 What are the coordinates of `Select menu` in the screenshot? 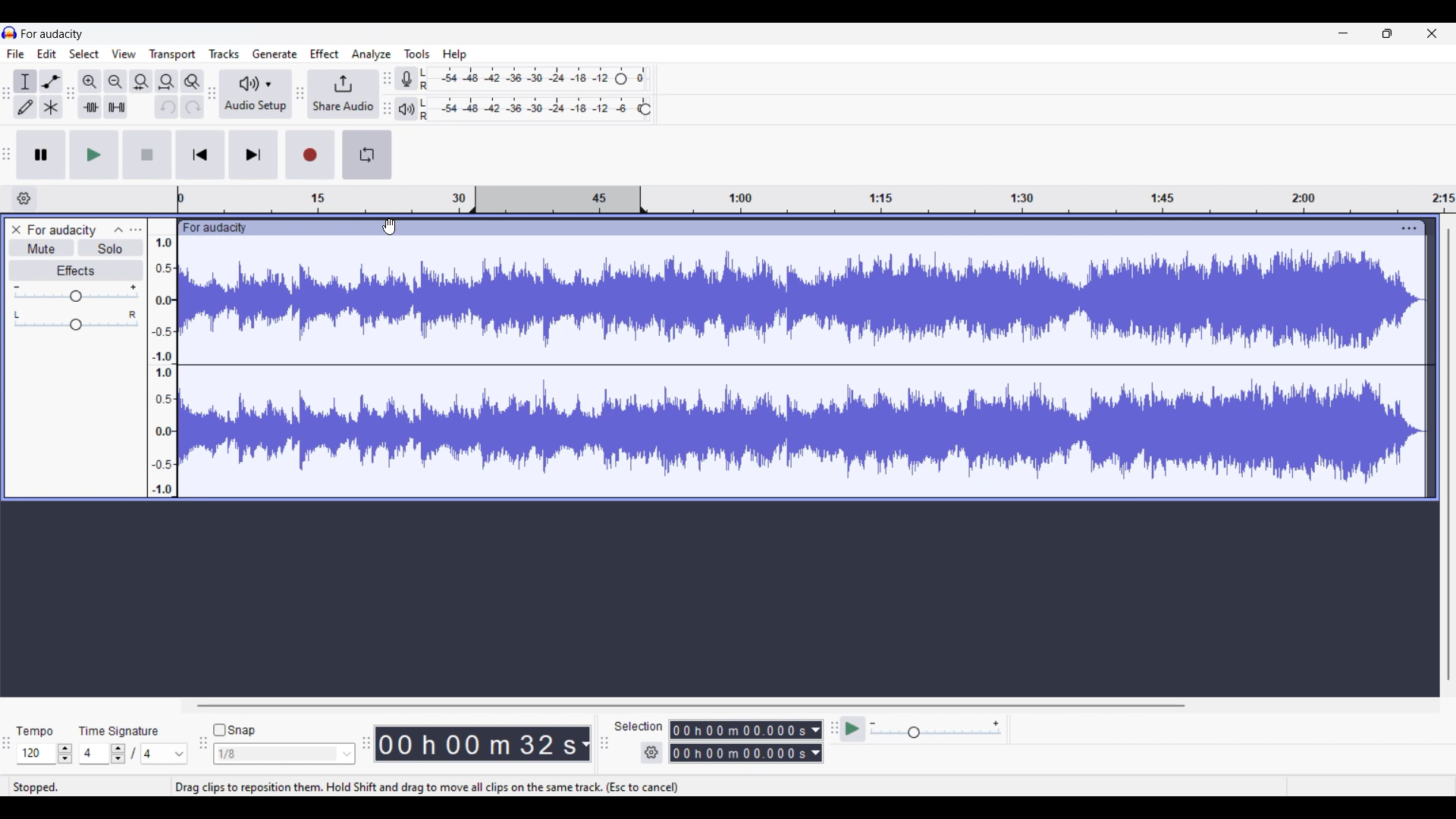 It's located at (84, 54).